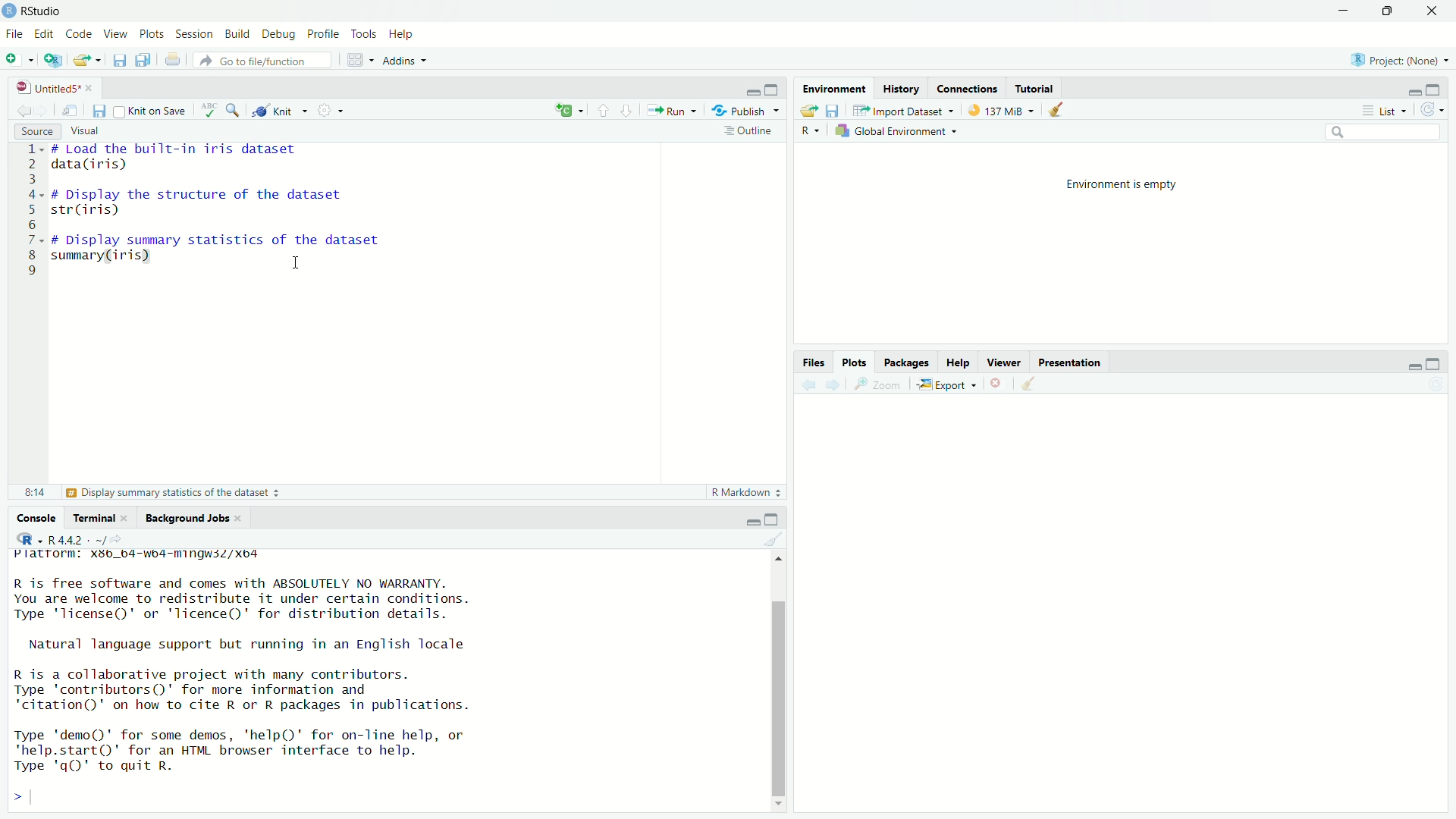 This screenshot has width=1456, height=819. I want to click on Addins, so click(405, 61).